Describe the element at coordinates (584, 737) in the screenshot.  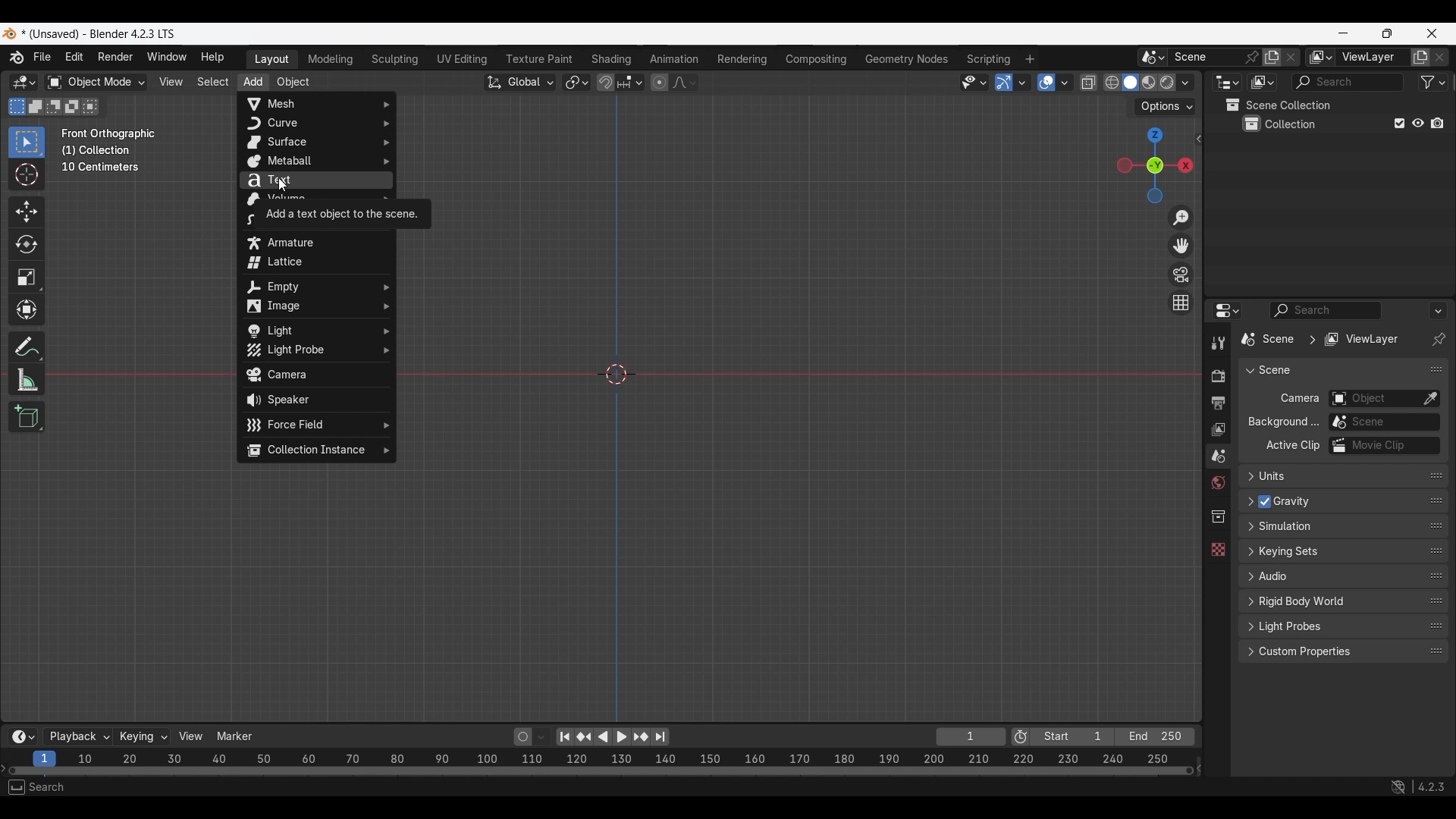
I see `Jump to key frame` at that location.